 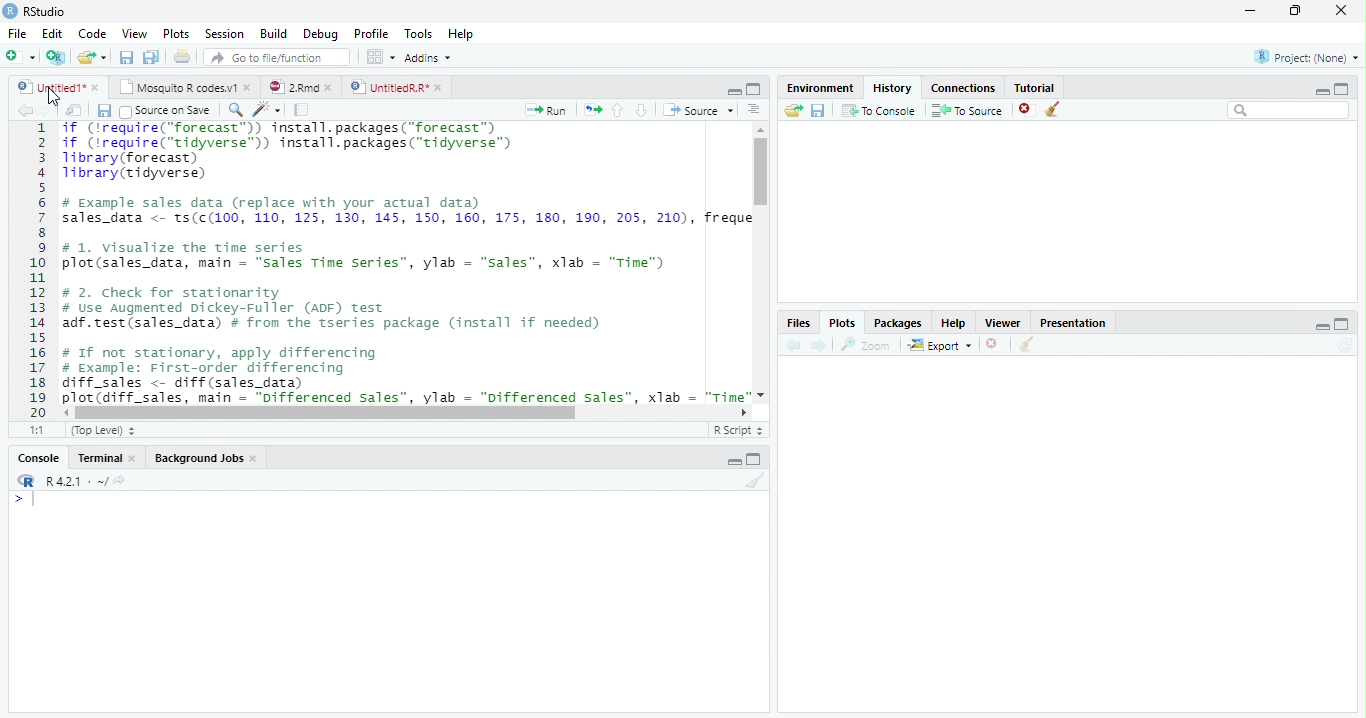 What do you see at coordinates (22, 111) in the screenshot?
I see `Previous` at bounding box center [22, 111].